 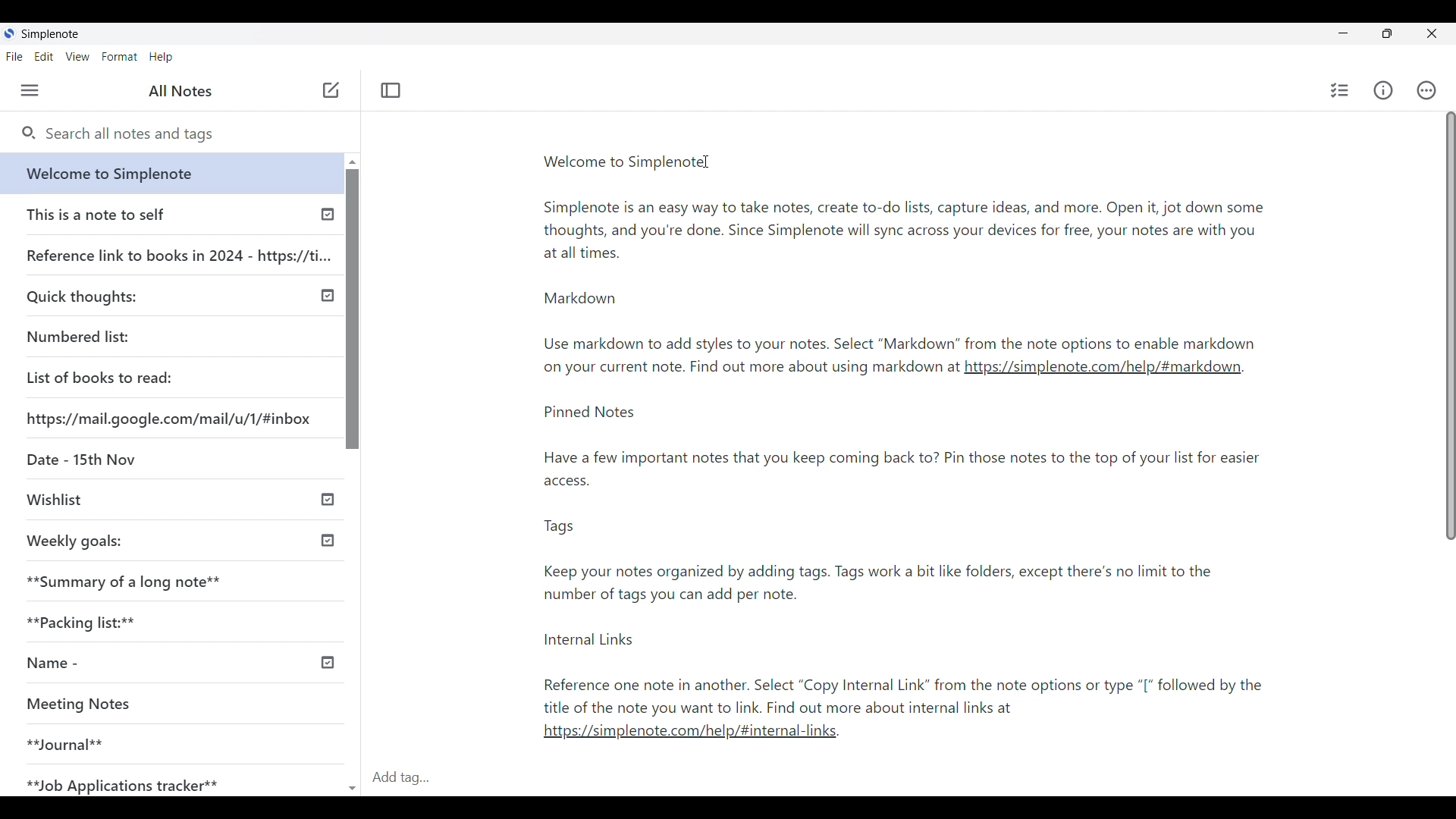 What do you see at coordinates (328, 218) in the screenshot?
I see `Check icon indicates published notes` at bounding box center [328, 218].